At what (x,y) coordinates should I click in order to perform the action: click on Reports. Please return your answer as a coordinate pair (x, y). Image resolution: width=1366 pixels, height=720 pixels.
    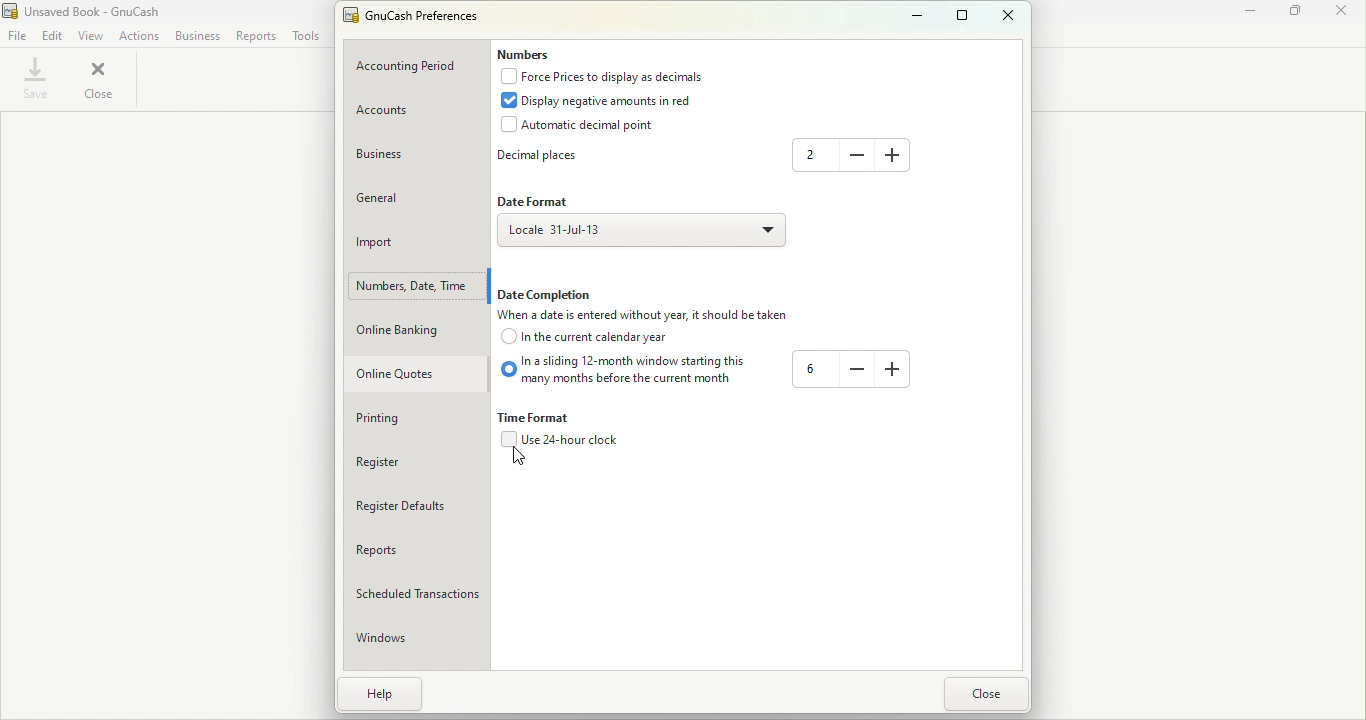
    Looking at the image, I should click on (258, 37).